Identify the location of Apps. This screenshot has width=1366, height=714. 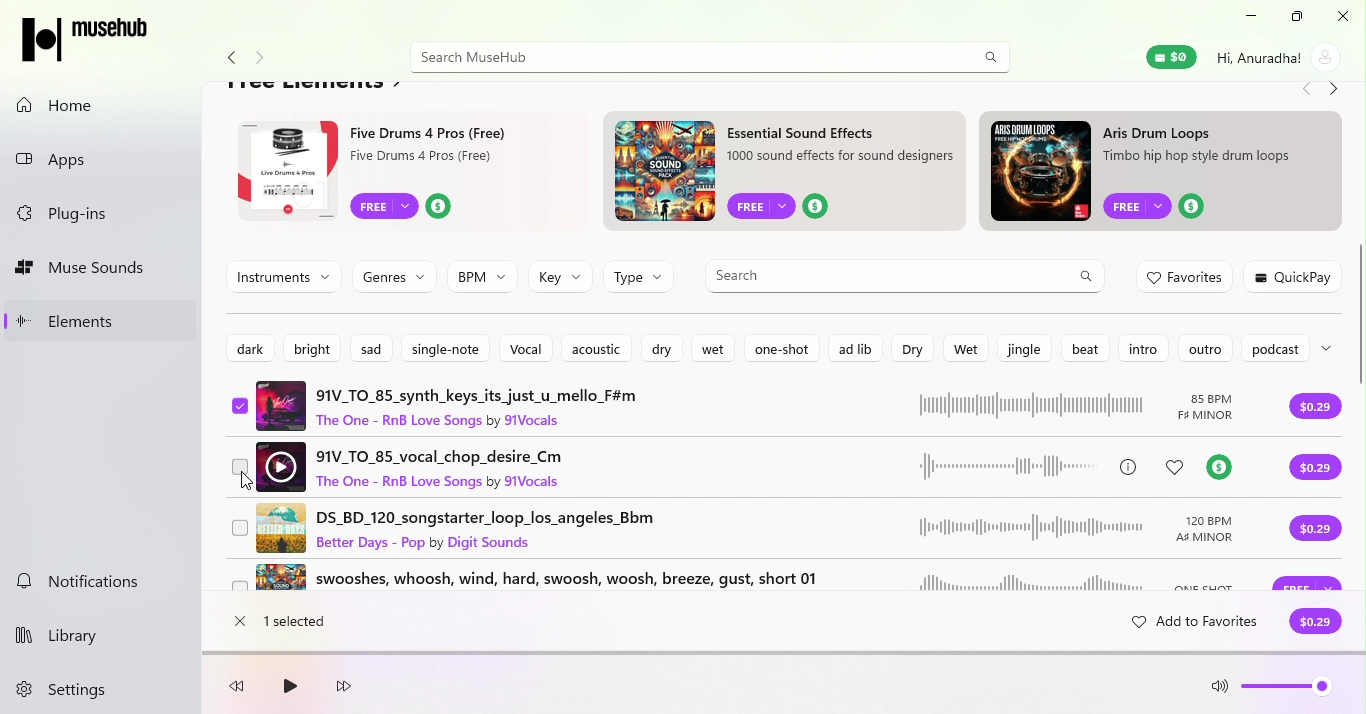
(103, 156).